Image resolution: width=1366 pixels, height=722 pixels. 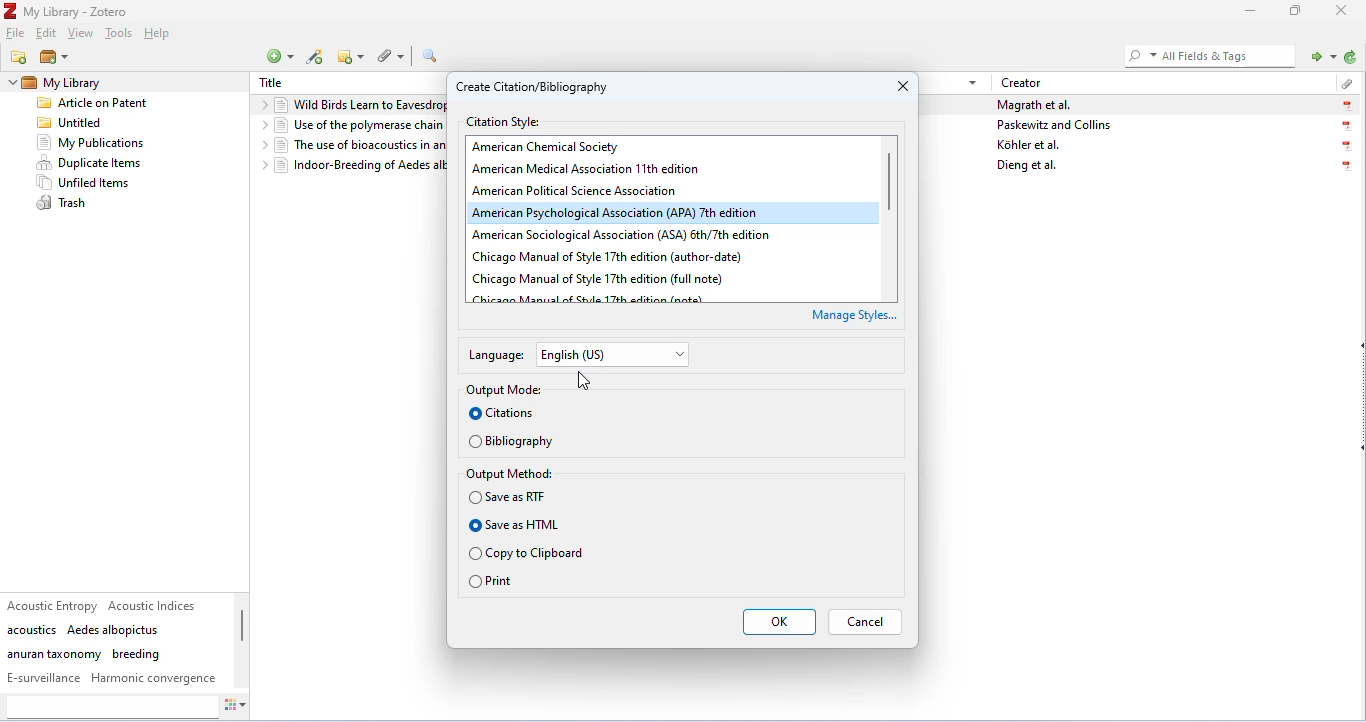 What do you see at coordinates (20, 57) in the screenshot?
I see `new collection` at bounding box center [20, 57].